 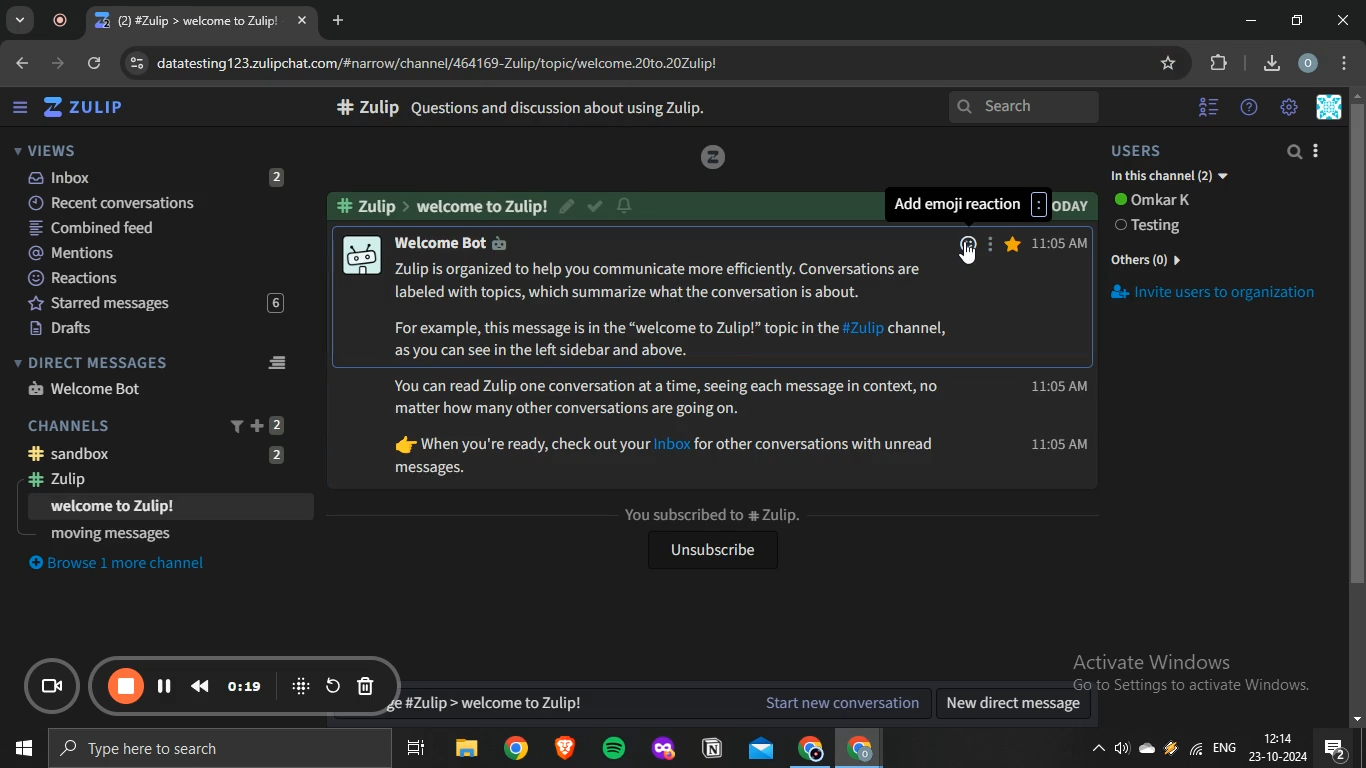 I want to click on starred messages, so click(x=151, y=304).